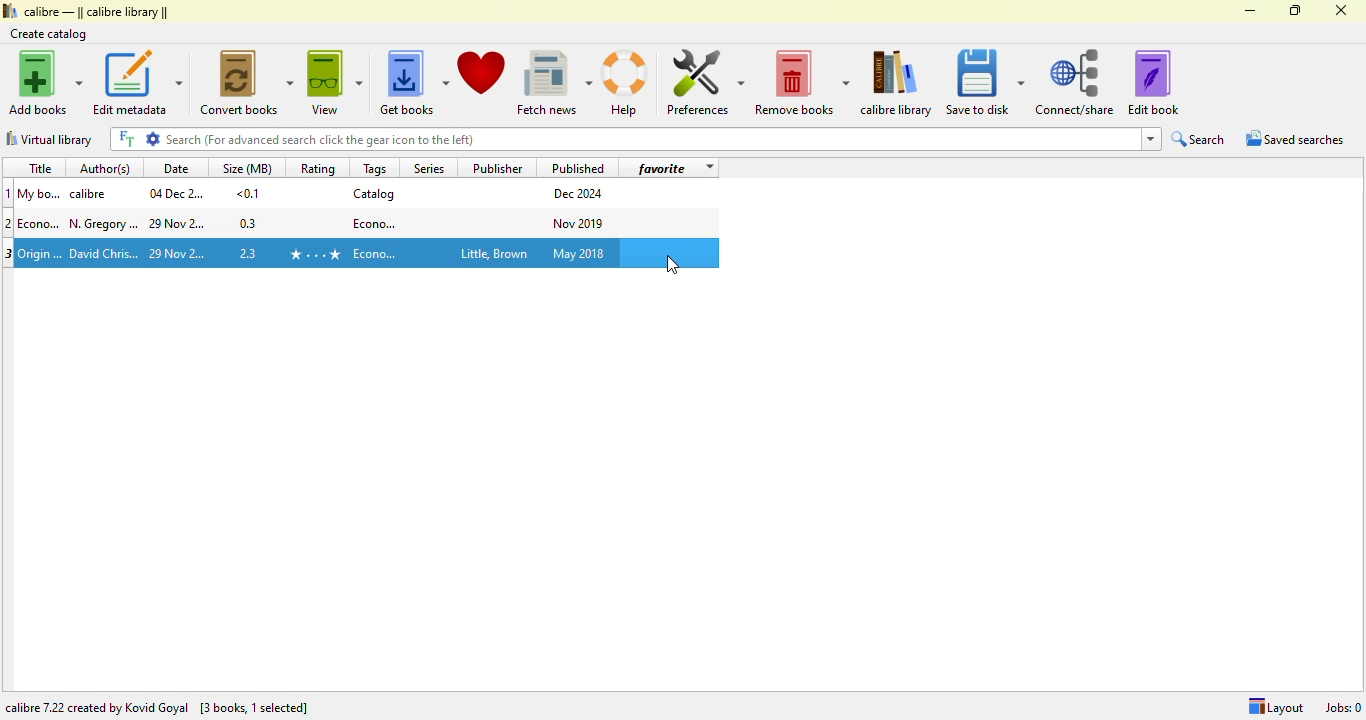 This screenshot has width=1366, height=720. Describe the element at coordinates (125, 139) in the screenshot. I see `FT` at that location.